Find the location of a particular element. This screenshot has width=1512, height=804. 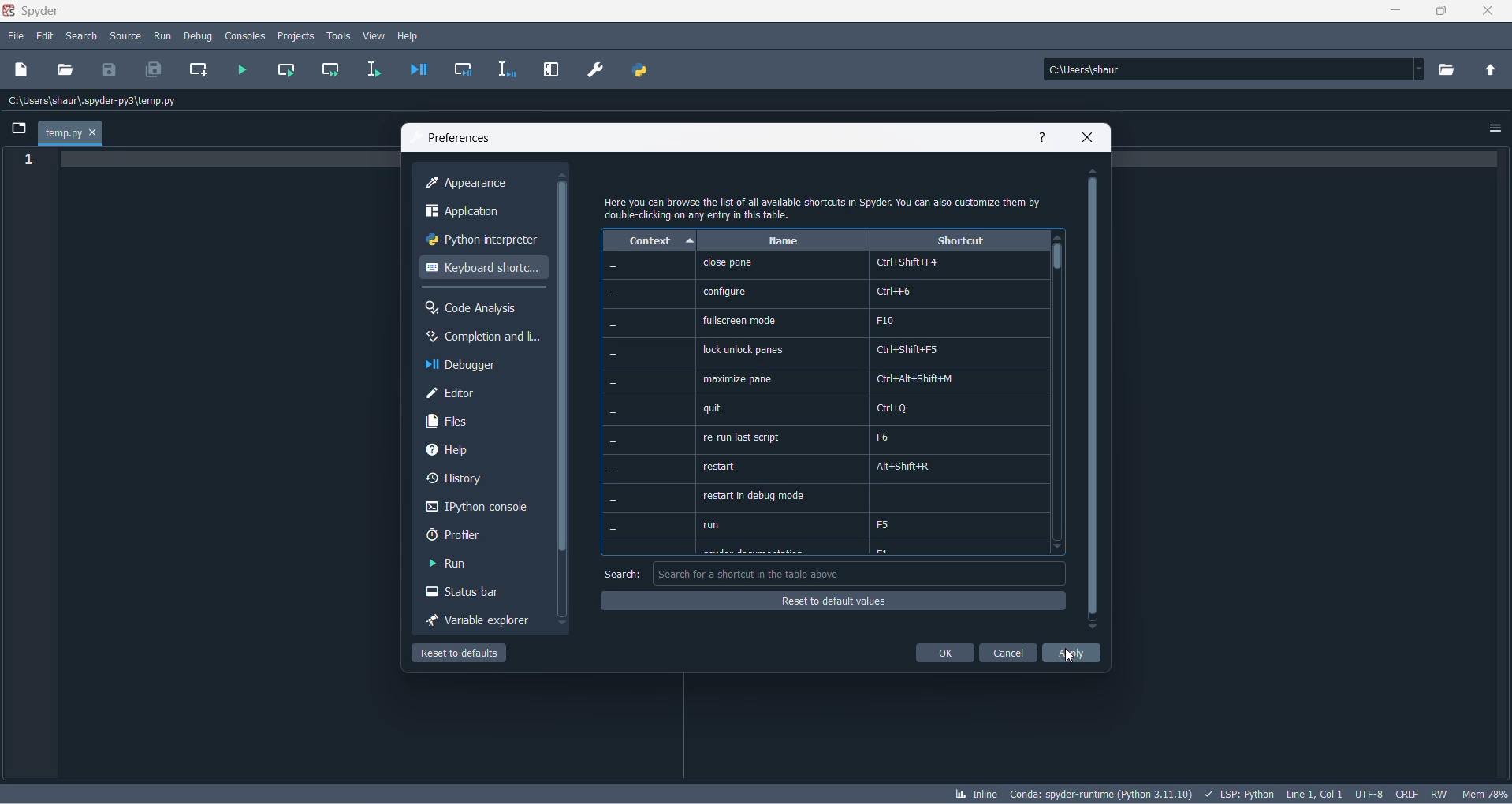

status bar is located at coordinates (472, 594).